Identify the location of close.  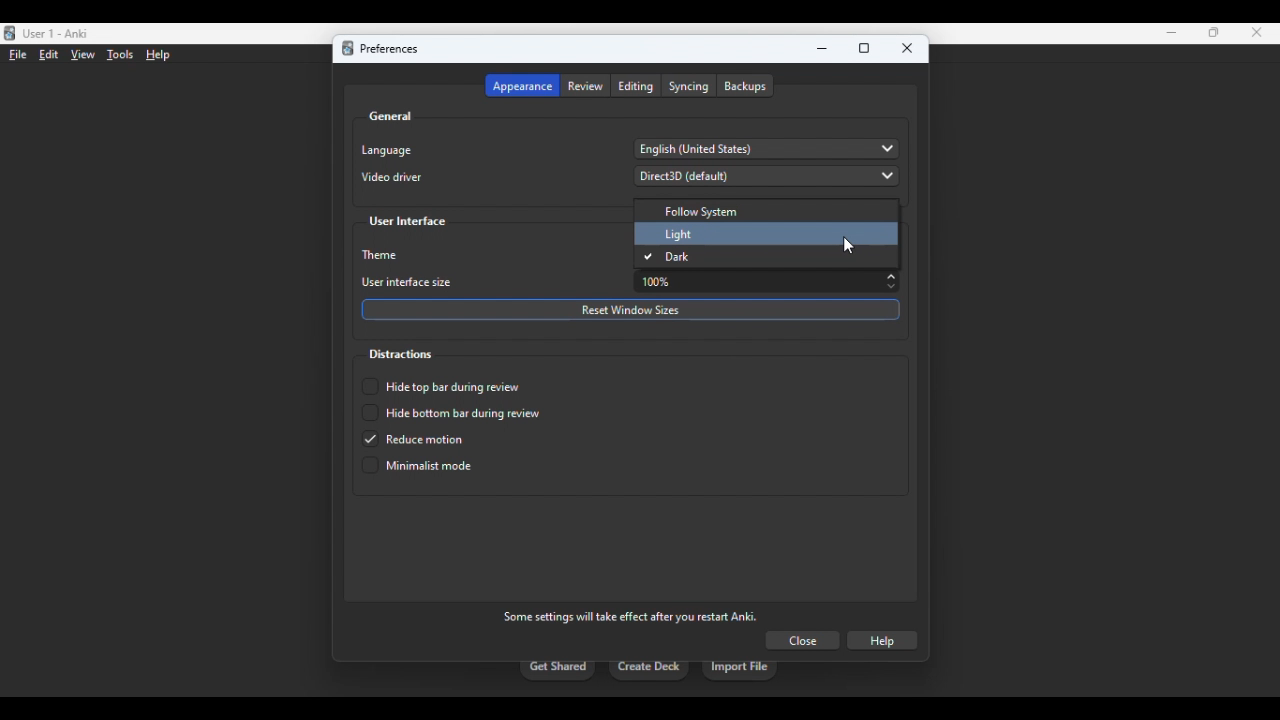
(802, 640).